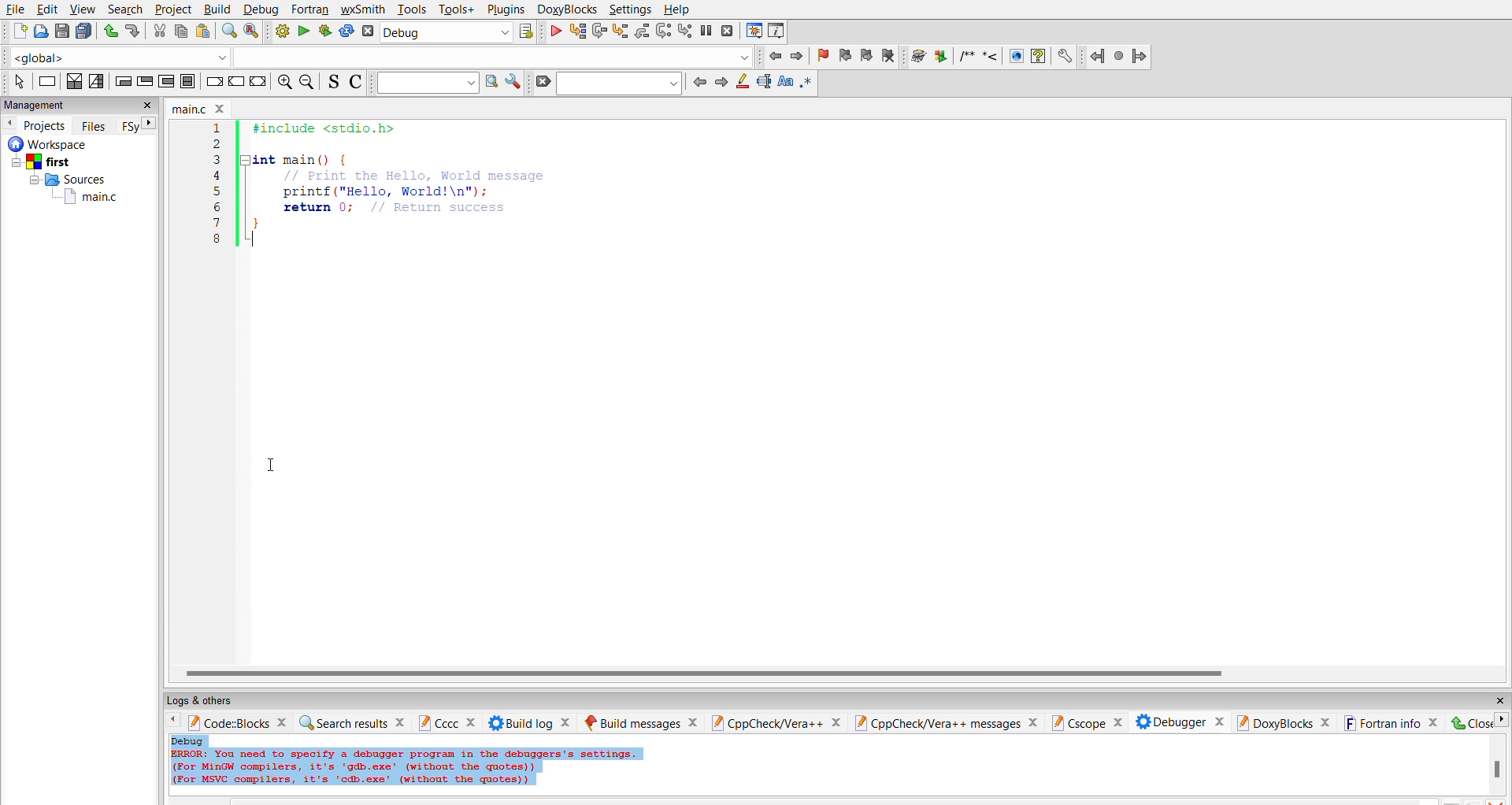  I want to click on Extract, so click(940, 57).